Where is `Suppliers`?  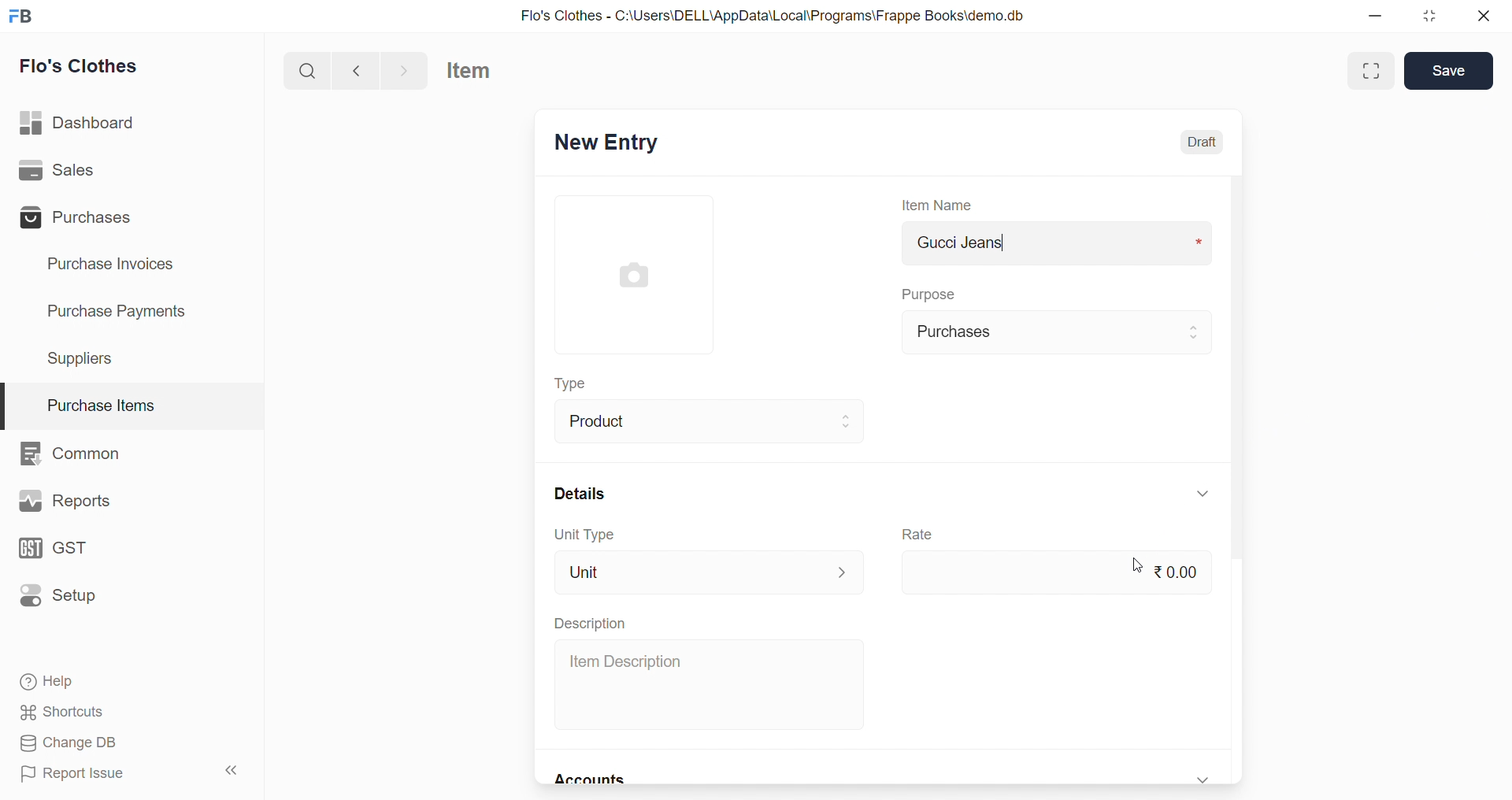
Suppliers is located at coordinates (87, 357).